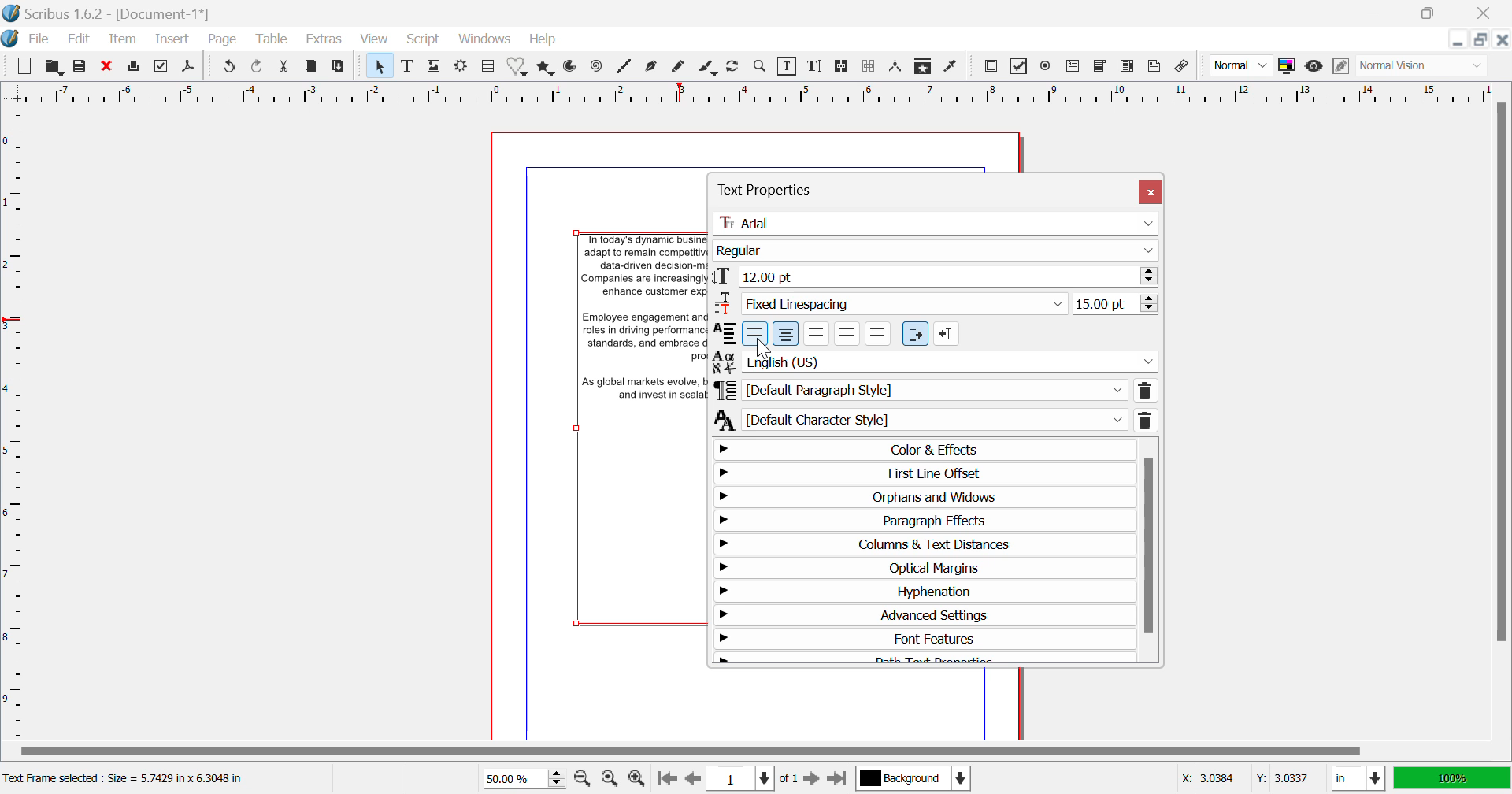  I want to click on Select, so click(381, 65).